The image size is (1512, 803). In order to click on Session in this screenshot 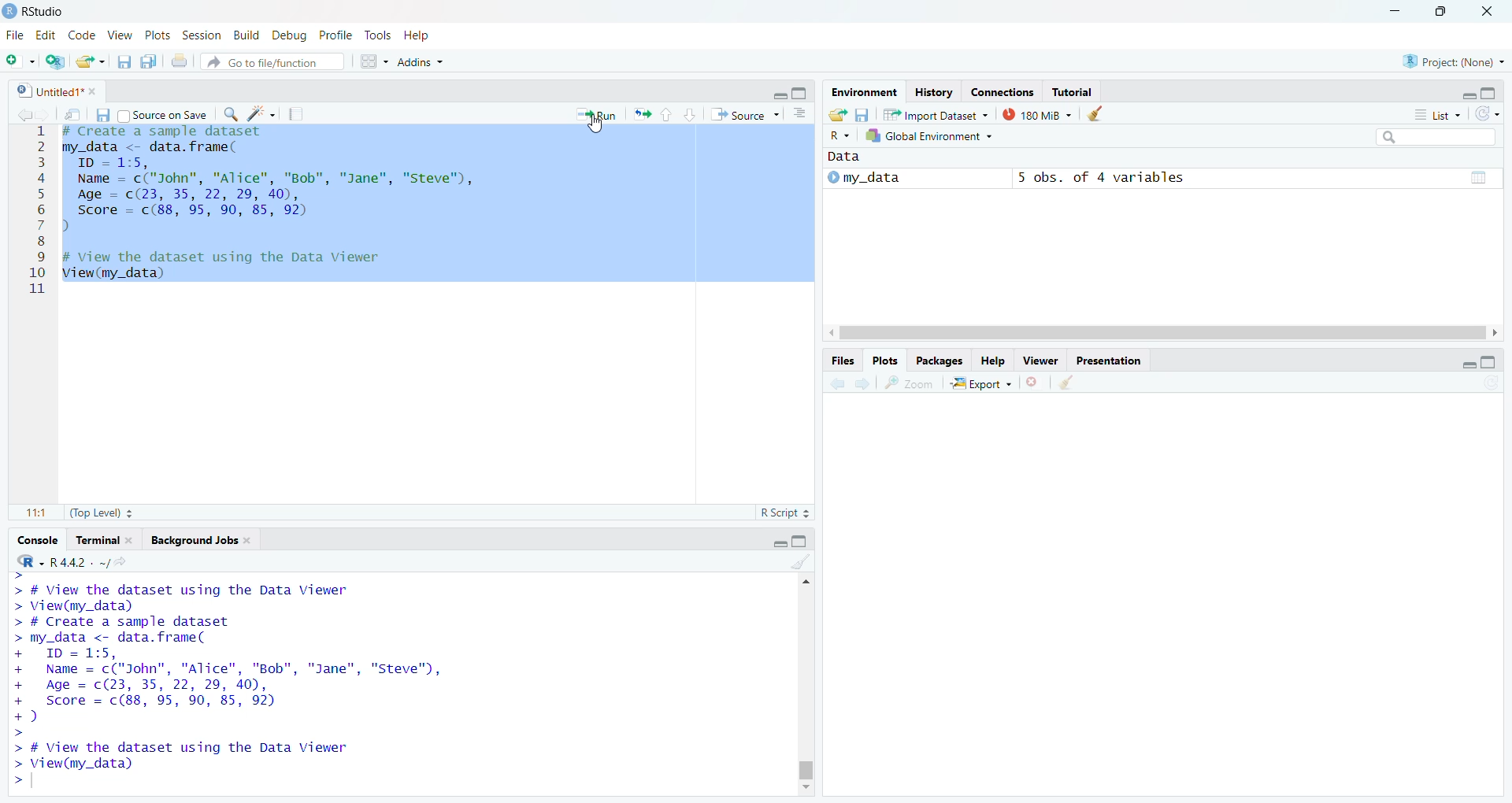, I will do `click(203, 36)`.